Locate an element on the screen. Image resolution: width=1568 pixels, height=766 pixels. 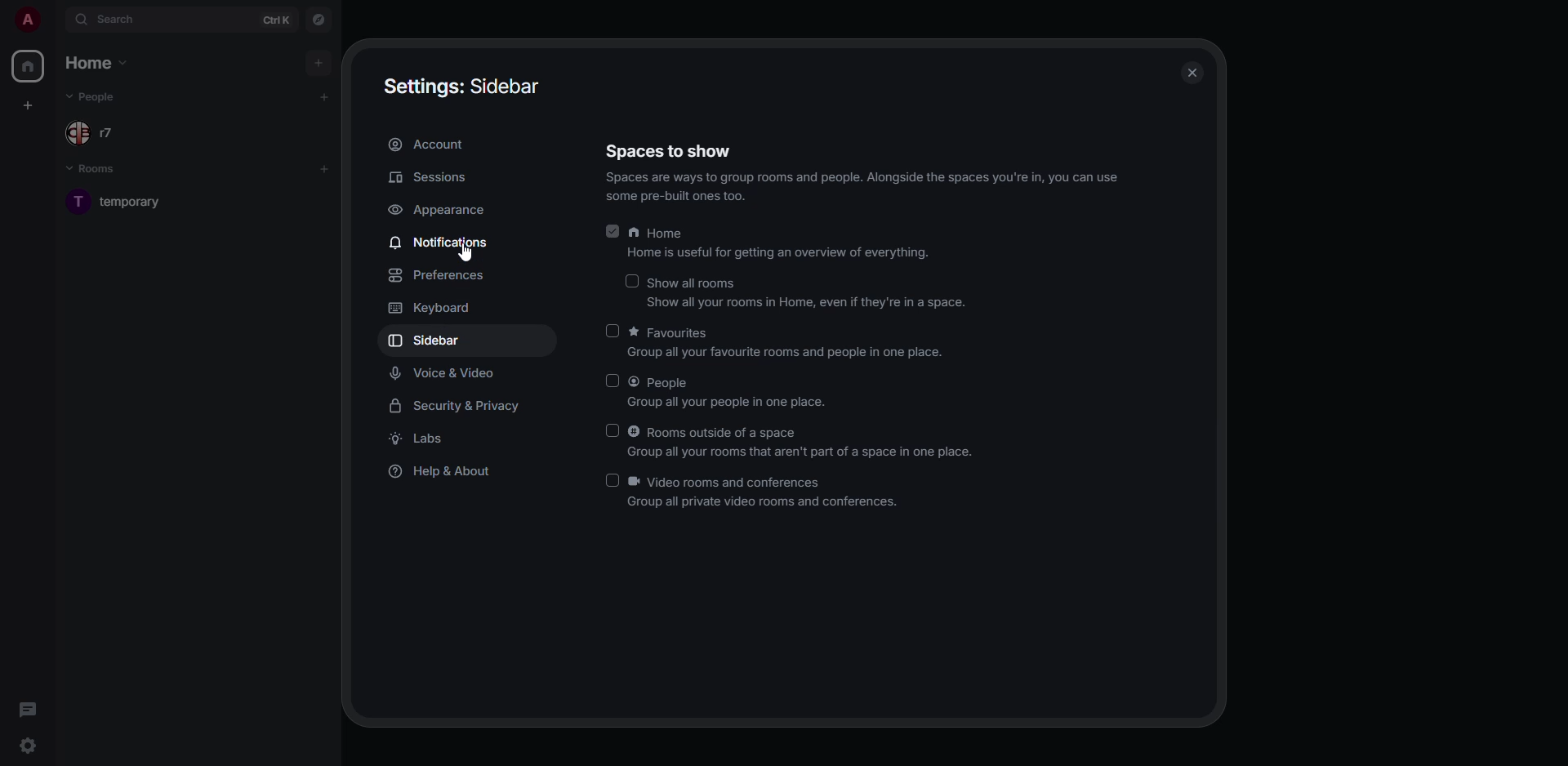
people is located at coordinates (94, 97).